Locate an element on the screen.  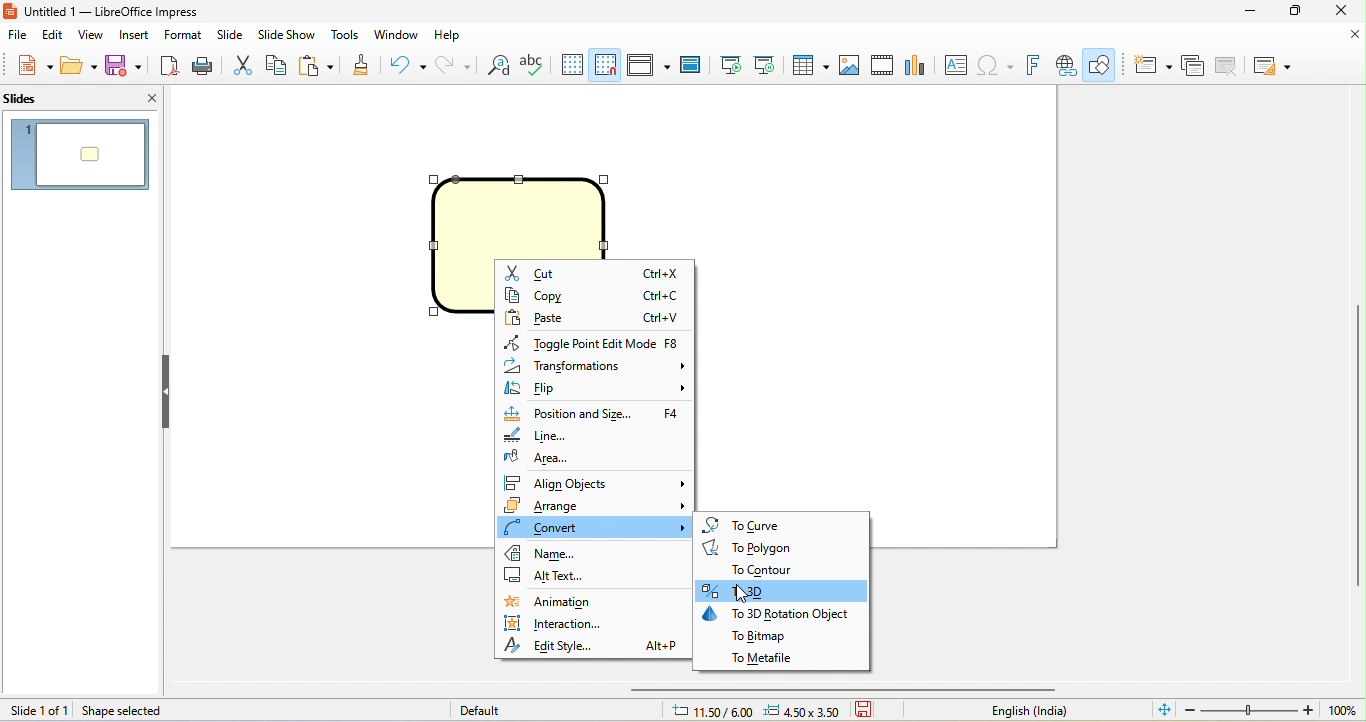
view is located at coordinates (97, 34).